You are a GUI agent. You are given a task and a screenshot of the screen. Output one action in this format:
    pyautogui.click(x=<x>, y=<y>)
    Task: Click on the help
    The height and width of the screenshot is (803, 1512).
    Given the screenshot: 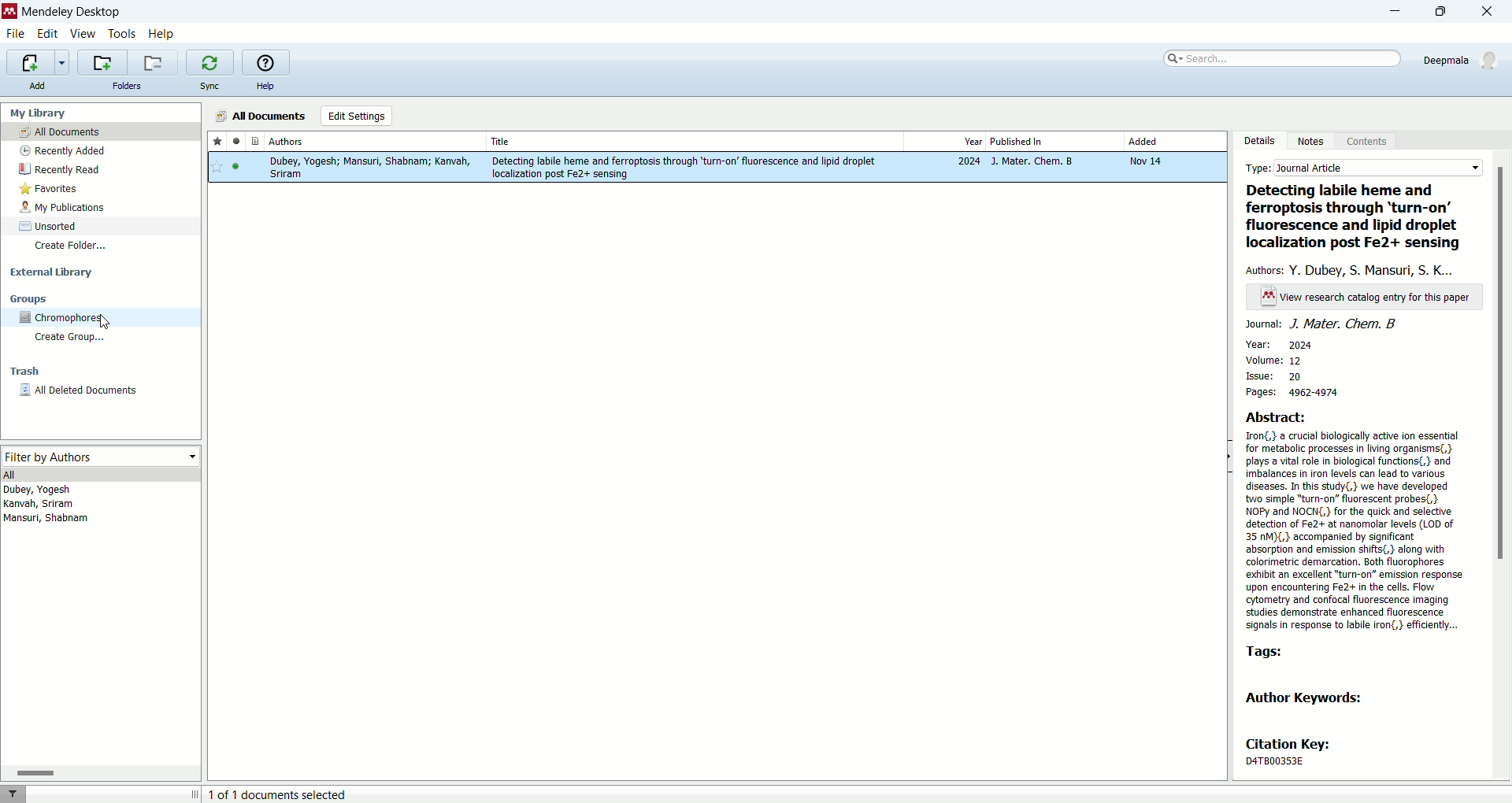 What is the action you would take?
    pyautogui.click(x=161, y=34)
    